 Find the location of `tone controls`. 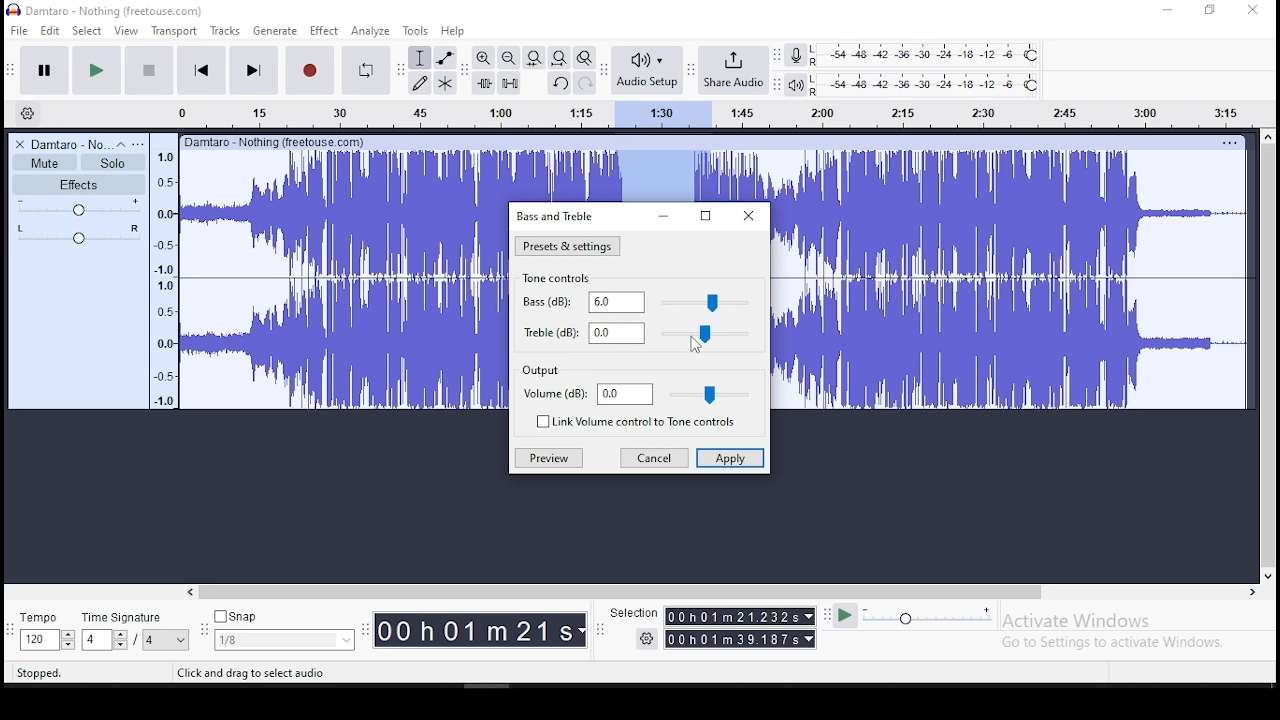

tone controls is located at coordinates (560, 279).